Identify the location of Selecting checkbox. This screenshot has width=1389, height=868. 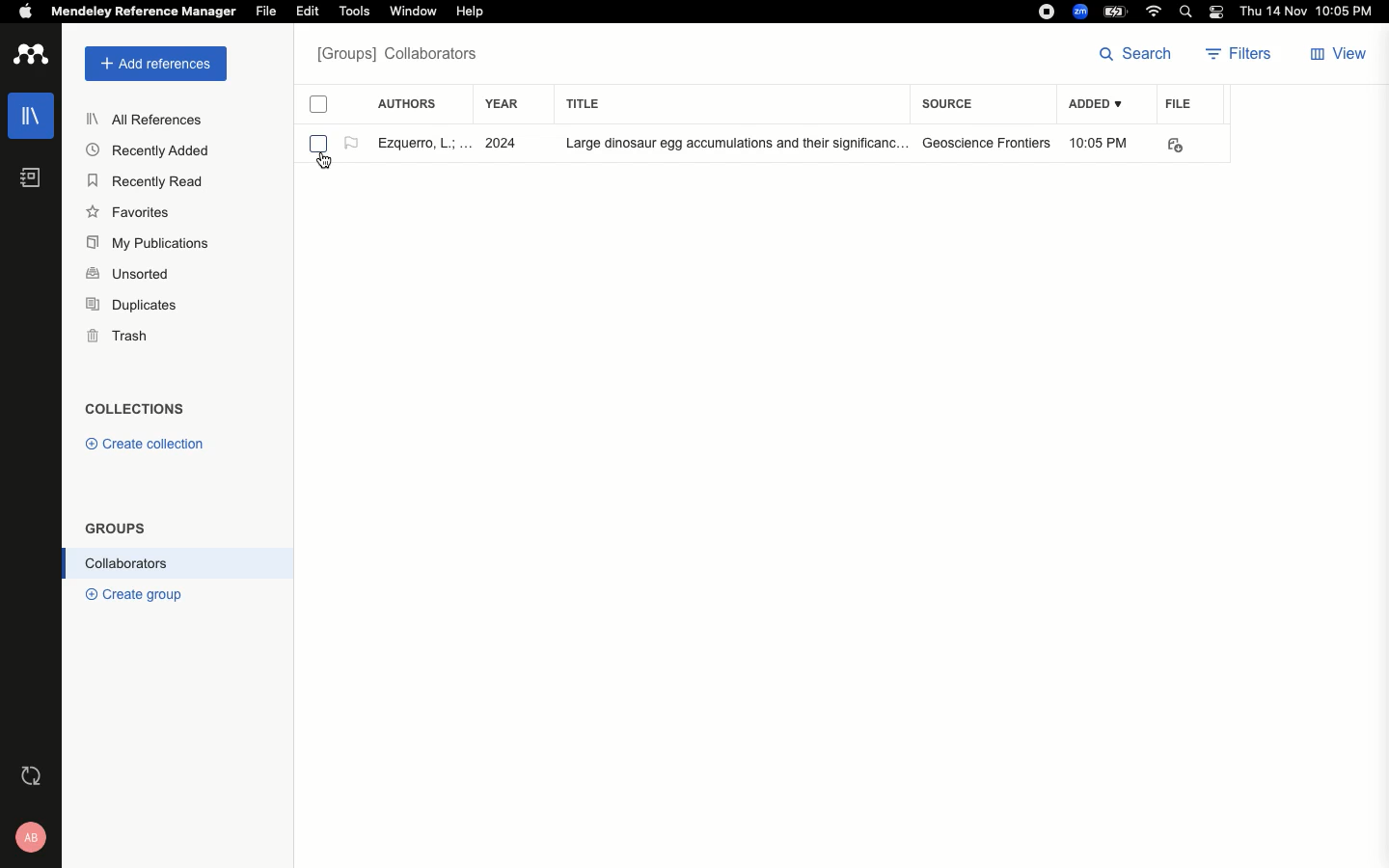
(317, 143).